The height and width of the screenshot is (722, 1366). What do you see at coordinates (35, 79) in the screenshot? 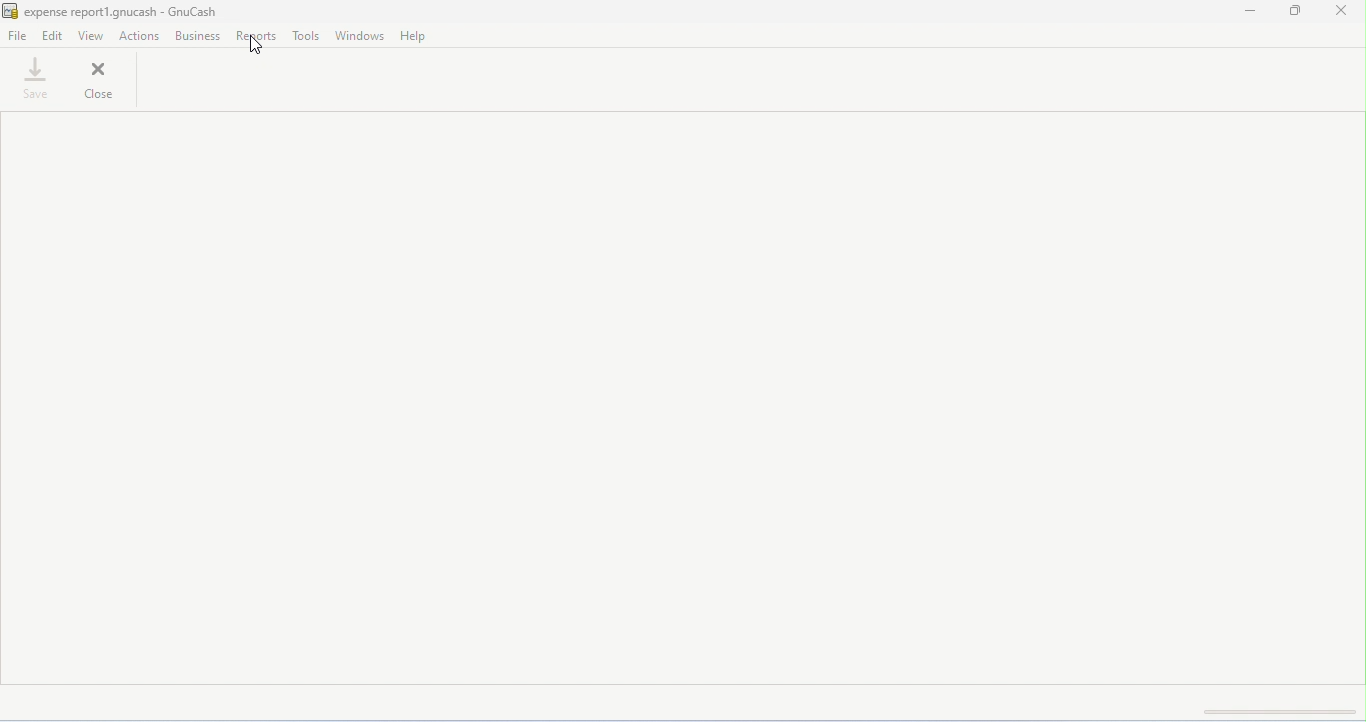
I see `save` at bounding box center [35, 79].